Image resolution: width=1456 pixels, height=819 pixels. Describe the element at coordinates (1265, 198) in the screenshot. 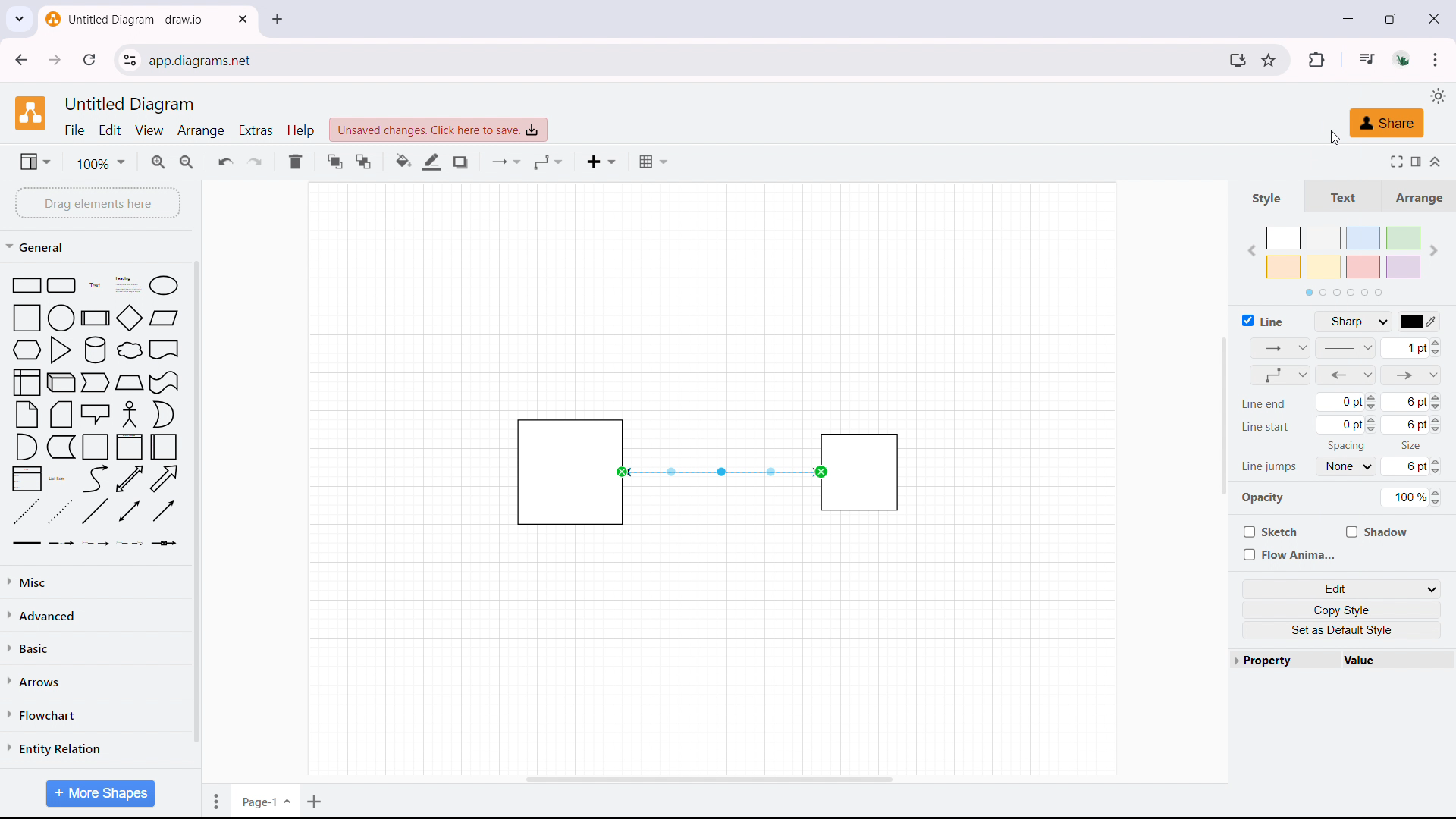

I see `style` at that location.